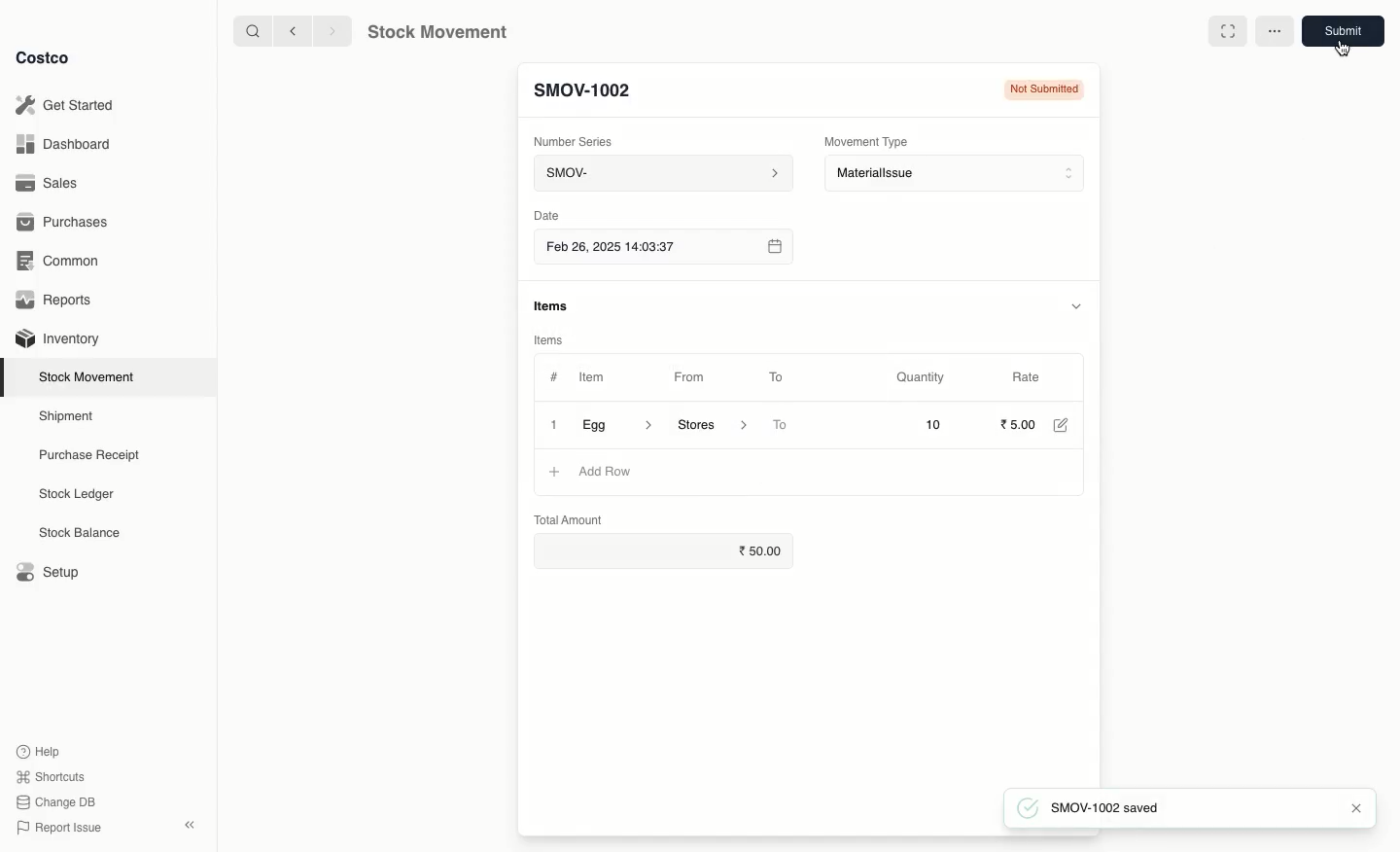 The width and height of the screenshot is (1400, 852). What do you see at coordinates (1343, 49) in the screenshot?
I see `cursor` at bounding box center [1343, 49].